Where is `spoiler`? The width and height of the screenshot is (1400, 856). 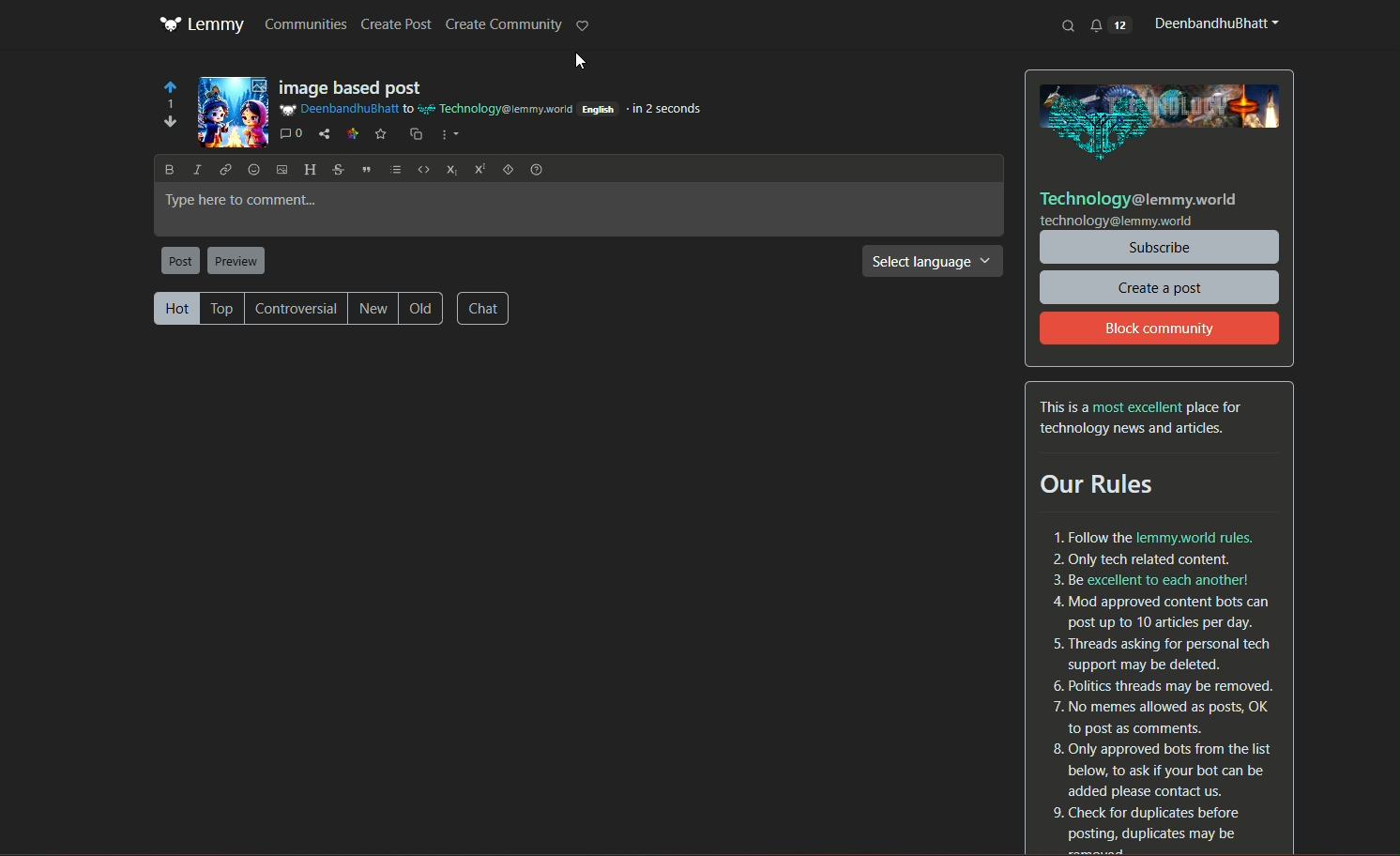 spoiler is located at coordinates (504, 169).